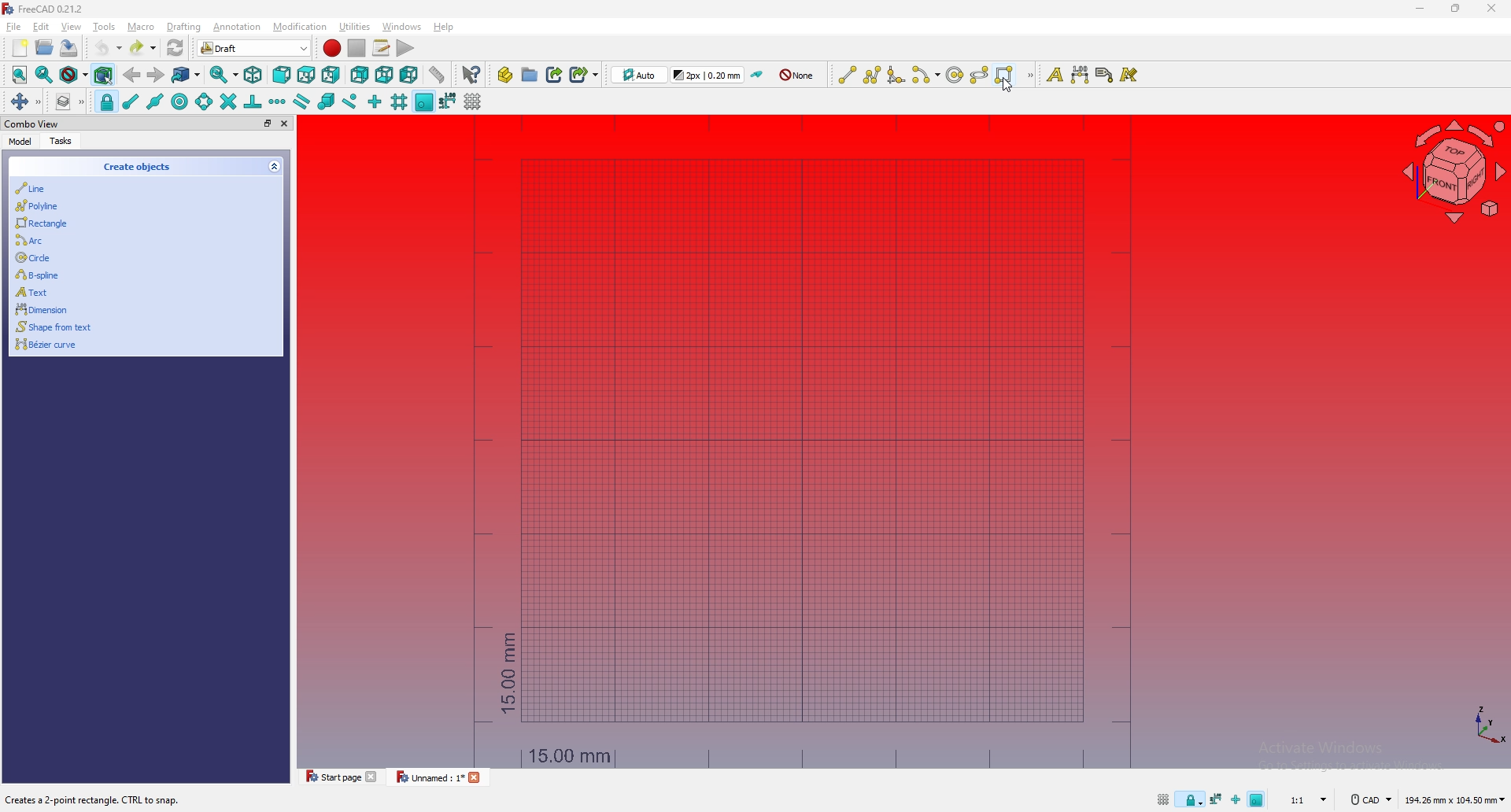 This screenshot has height=812, width=1511. What do you see at coordinates (139, 223) in the screenshot?
I see `rectangle` at bounding box center [139, 223].